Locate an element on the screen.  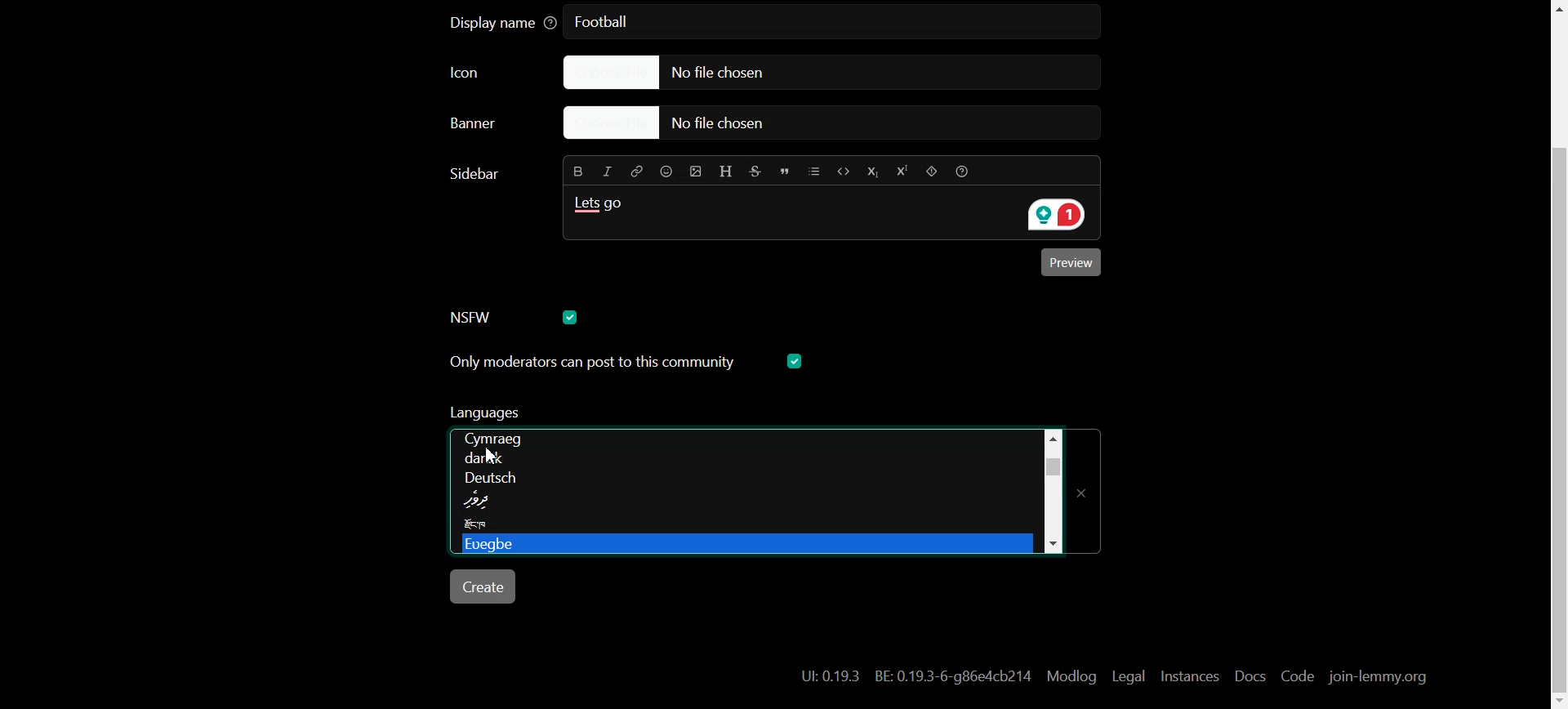
Insert Picture is located at coordinates (693, 170).